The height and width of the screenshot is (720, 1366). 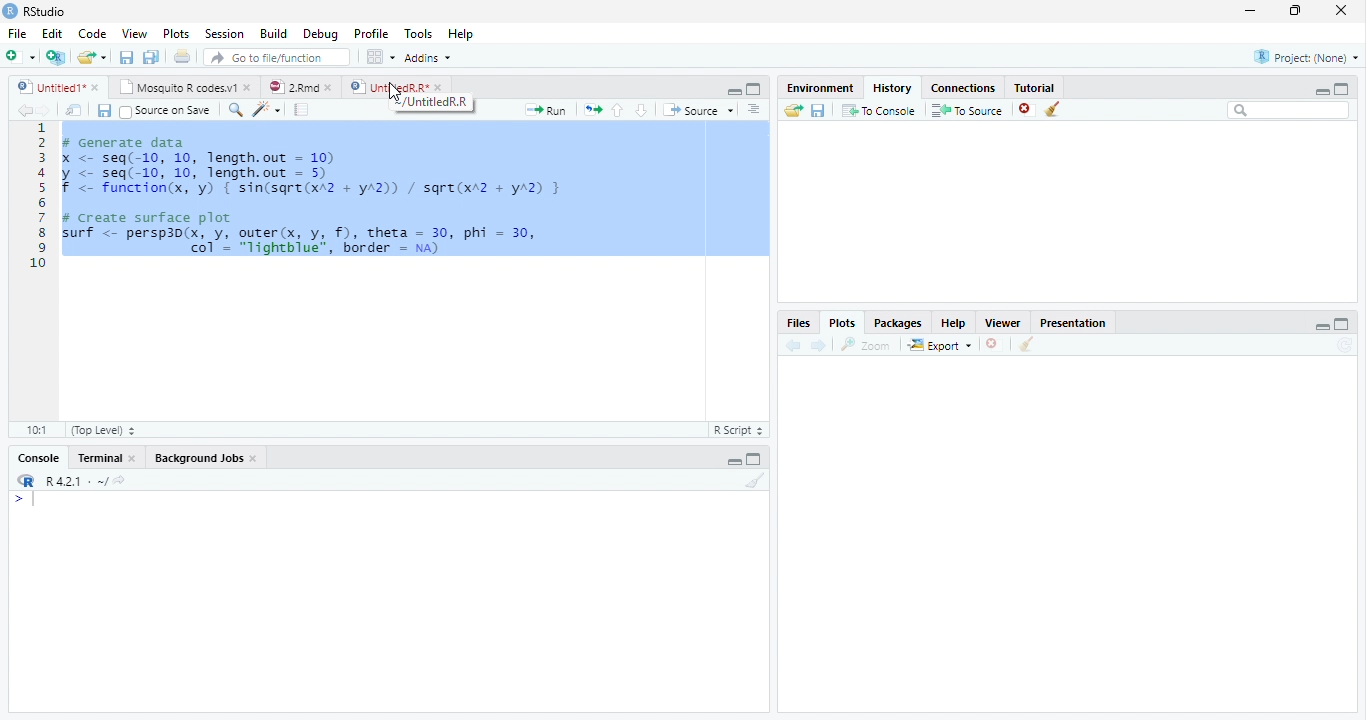 I want to click on Project: (None), so click(x=1306, y=57).